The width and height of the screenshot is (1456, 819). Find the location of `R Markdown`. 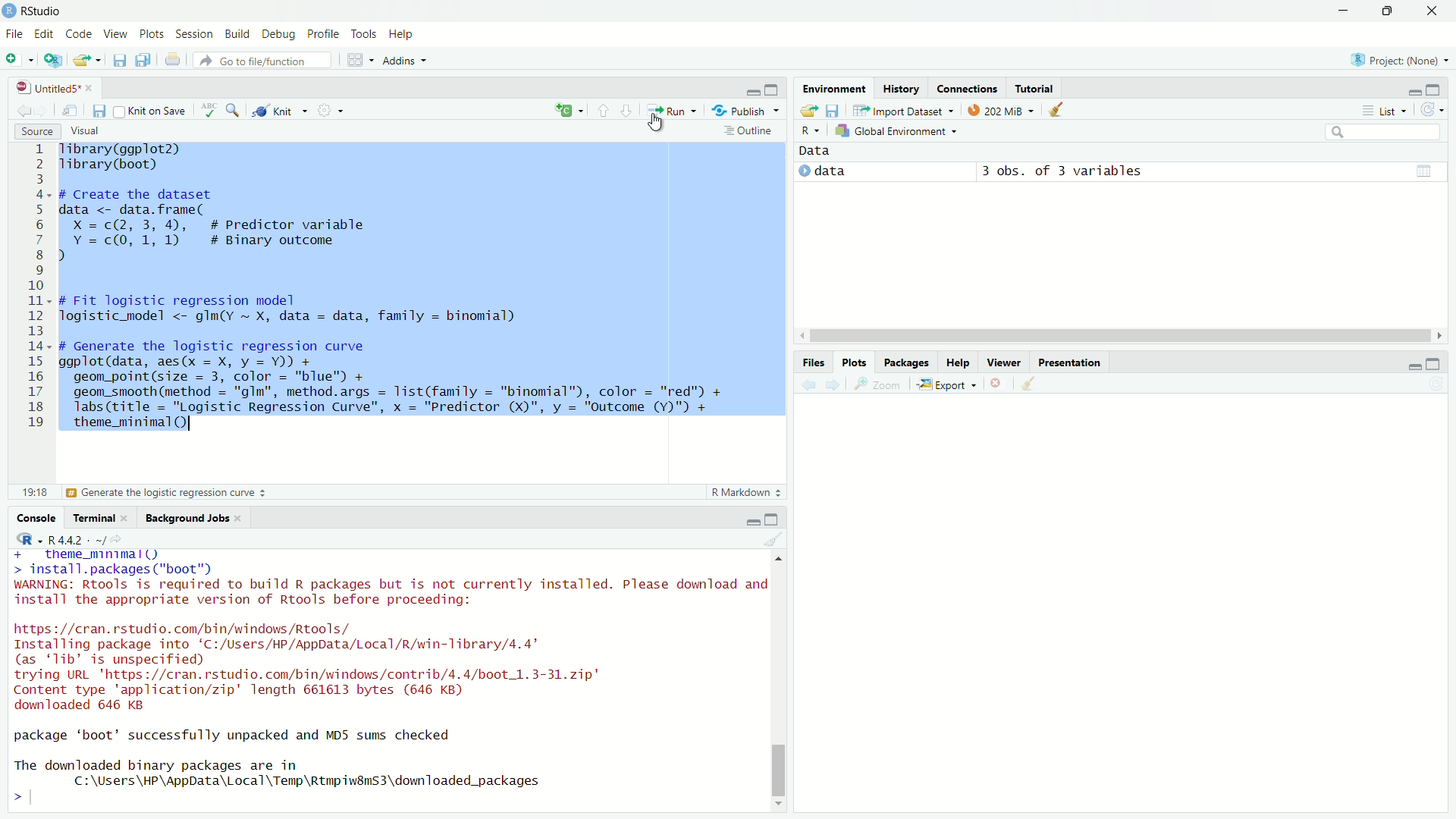

R Markdown is located at coordinates (747, 492).